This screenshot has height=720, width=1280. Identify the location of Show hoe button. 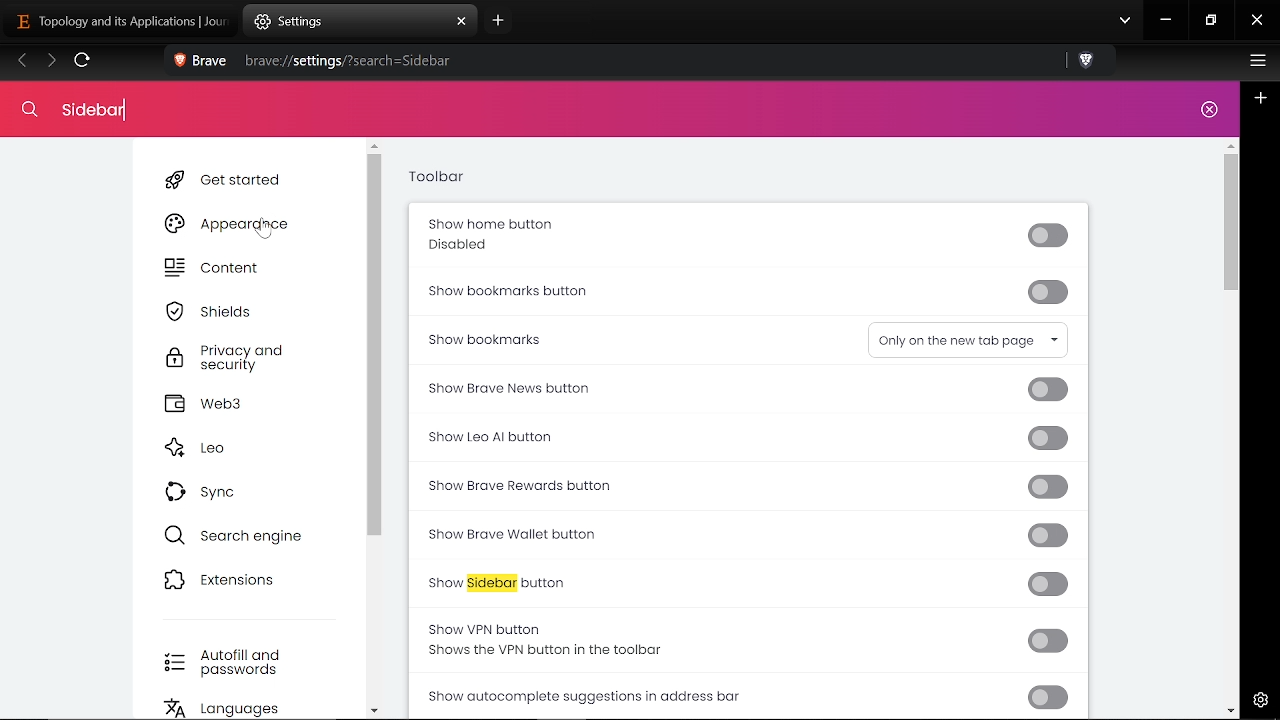
(742, 236).